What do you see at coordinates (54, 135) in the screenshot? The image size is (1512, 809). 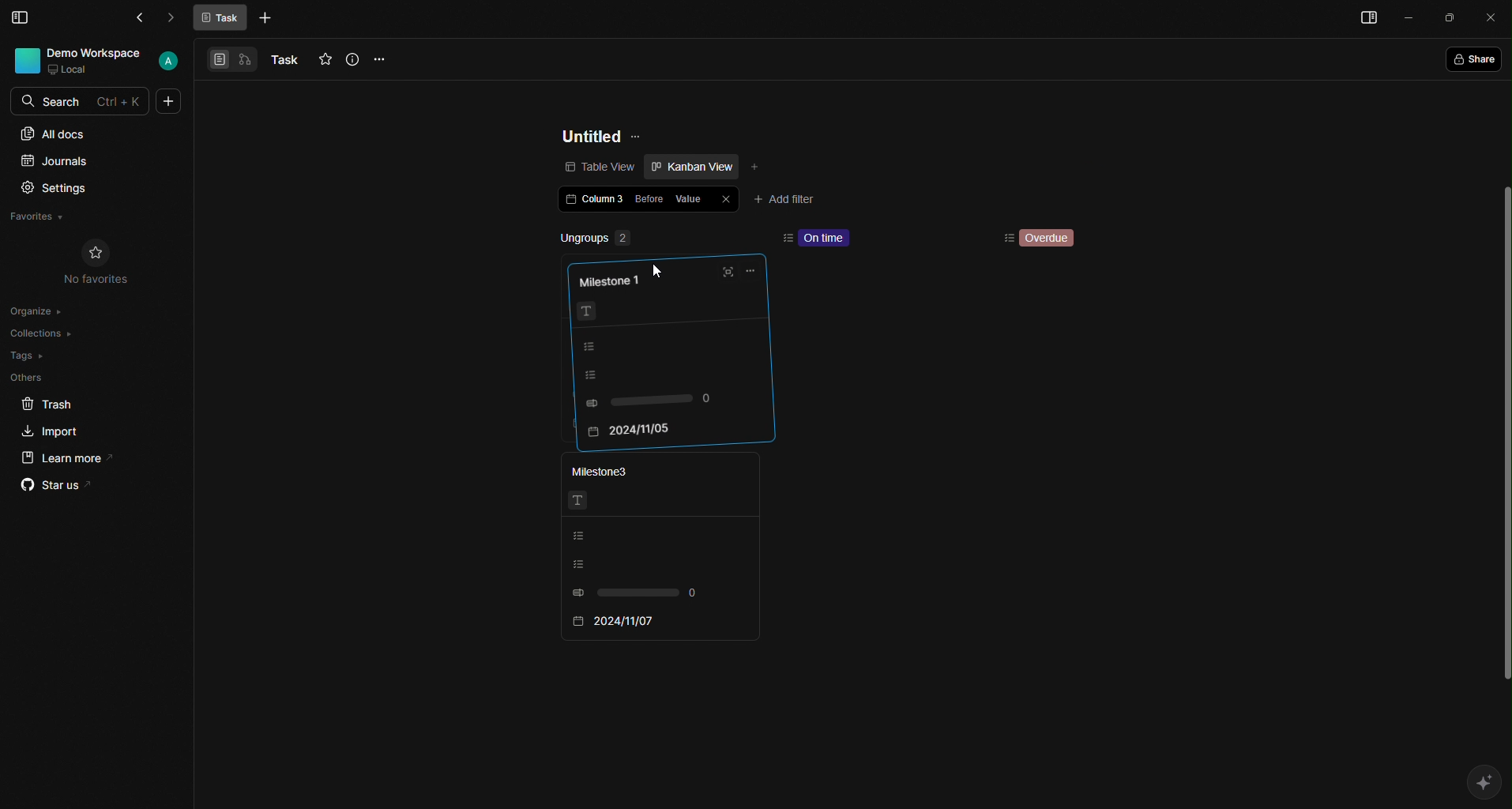 I see `All docs` at bounding box center [54, 135].